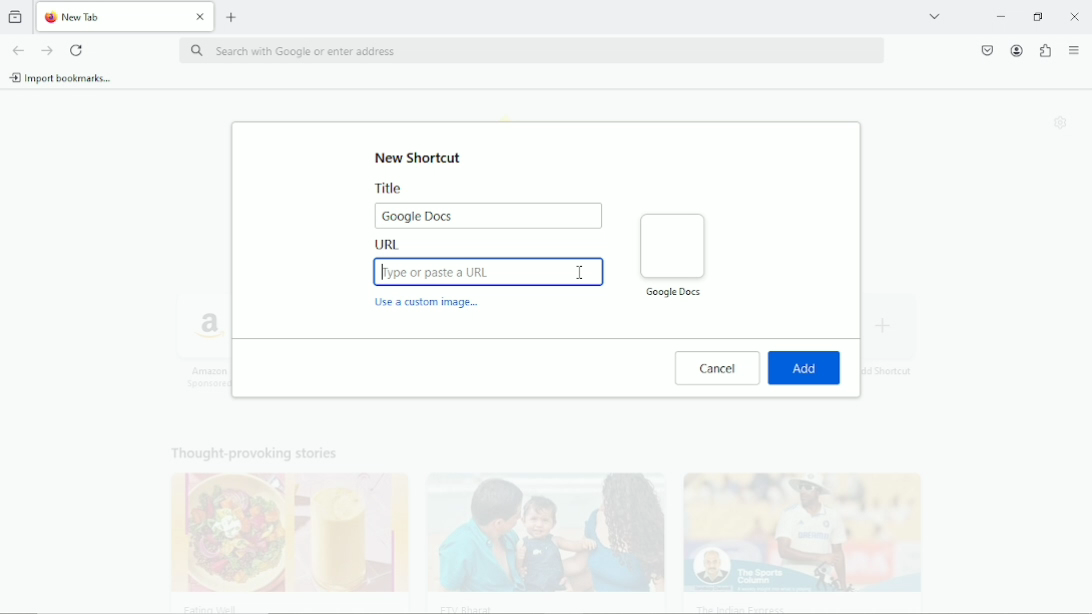 This screenshot has height=614, width=1092. I want to click on extensions, so click(1044, 51).